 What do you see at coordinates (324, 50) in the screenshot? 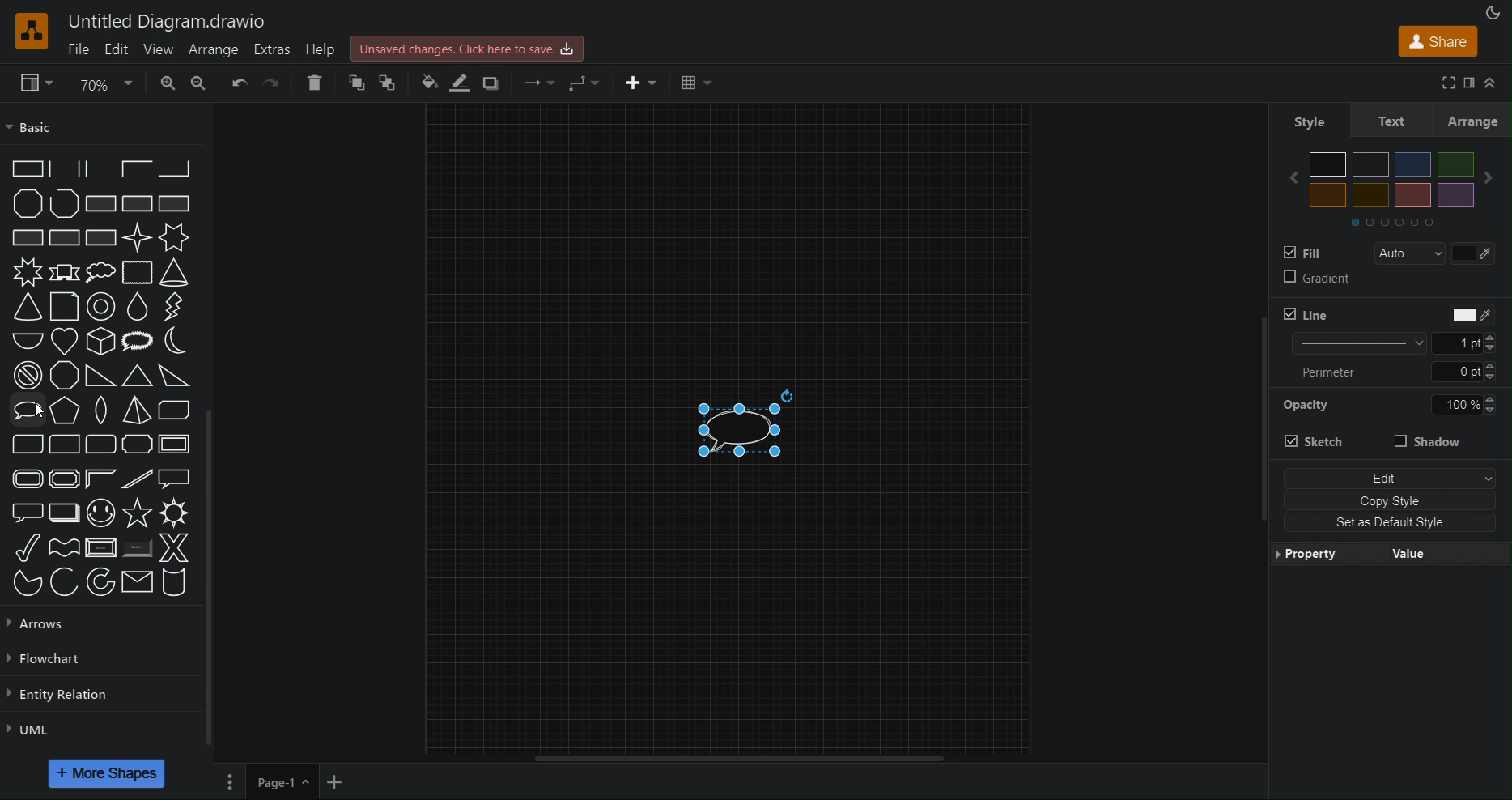
I see `Help` at bounding box center [324, 50].